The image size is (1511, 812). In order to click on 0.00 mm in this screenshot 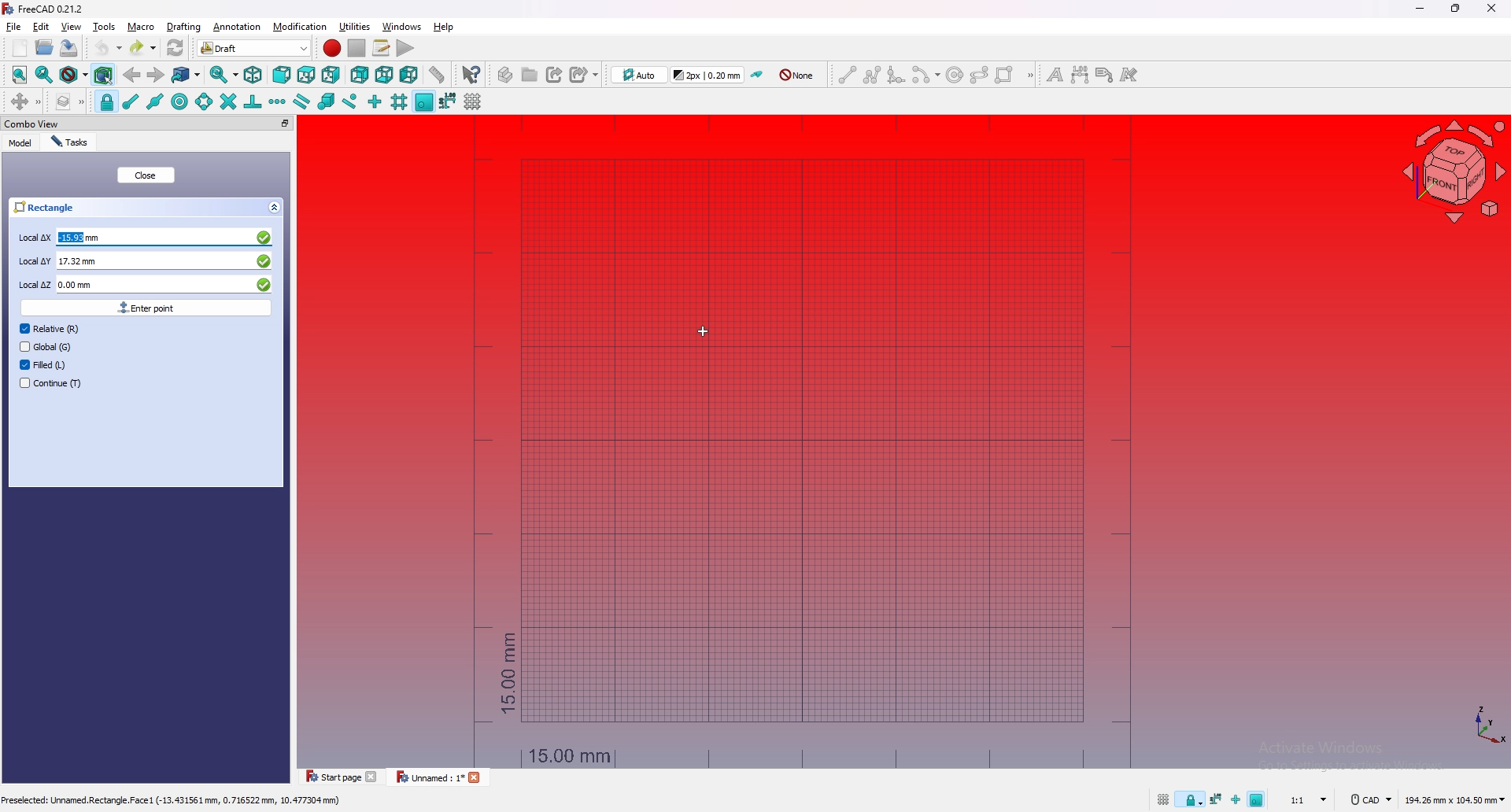, I will do `click(164, 283)`.